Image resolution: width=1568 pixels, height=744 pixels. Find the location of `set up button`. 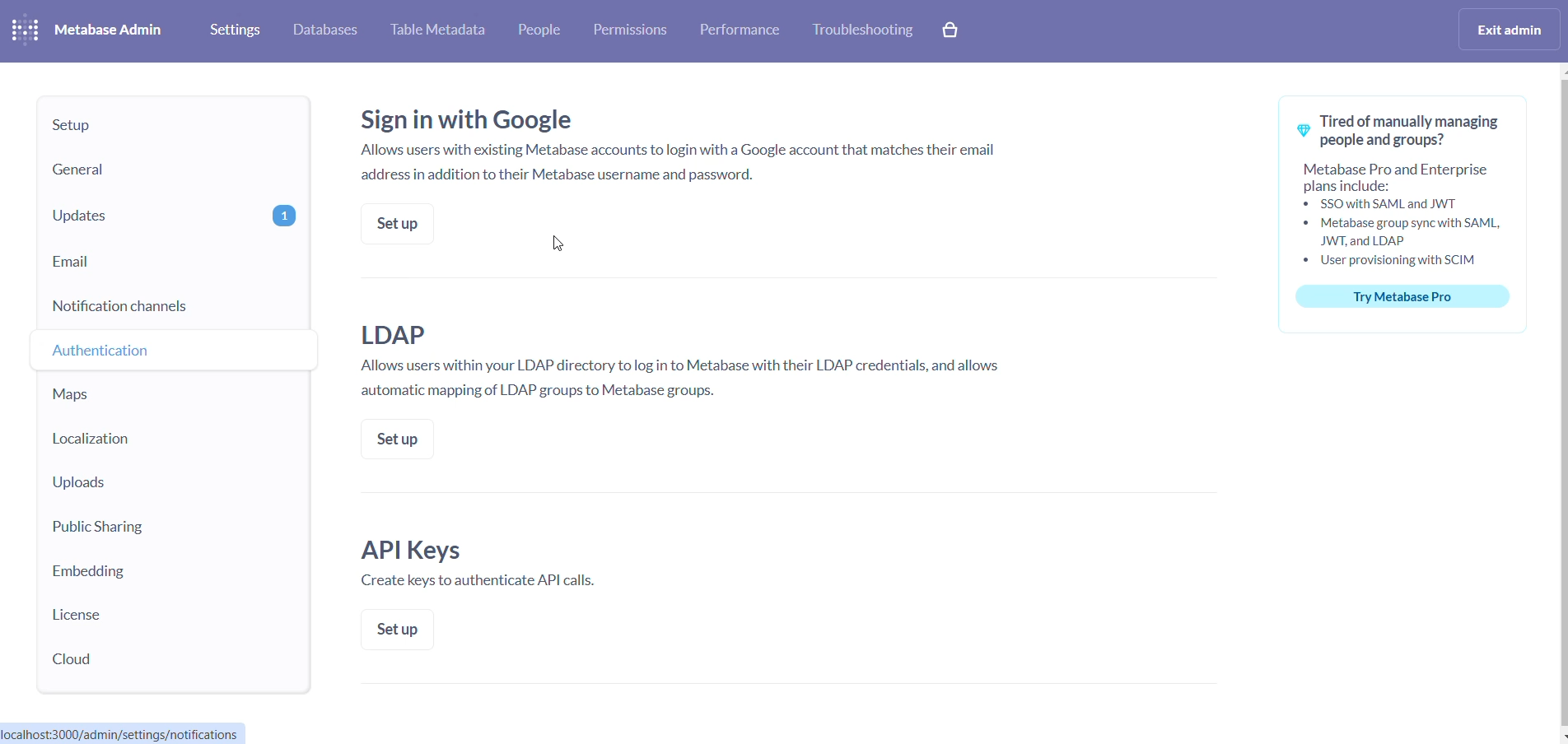

set up button is located at coordinates (395, 219).